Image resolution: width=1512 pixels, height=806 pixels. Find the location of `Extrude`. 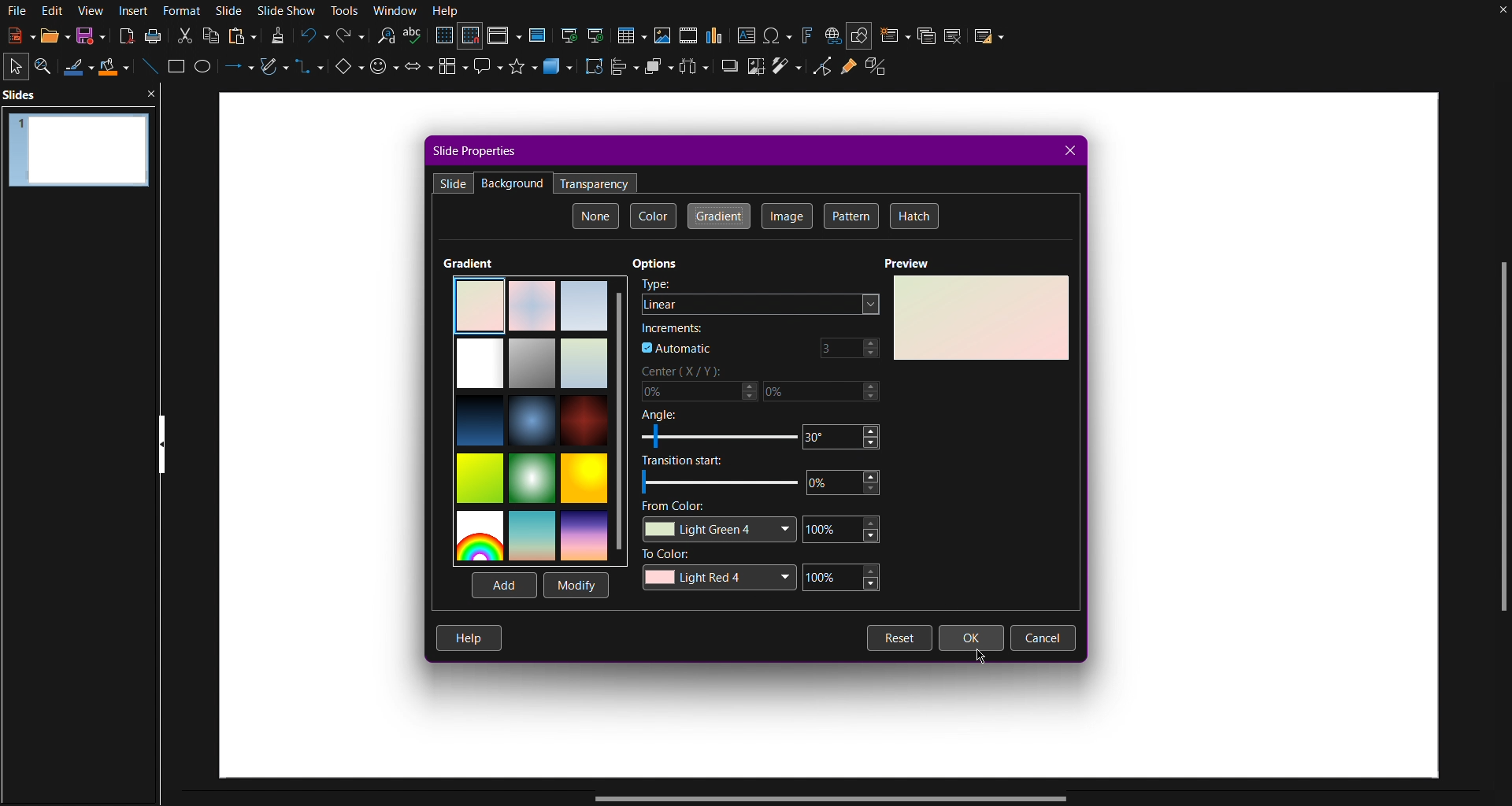

Extrude is located at coordinates (882, 72).